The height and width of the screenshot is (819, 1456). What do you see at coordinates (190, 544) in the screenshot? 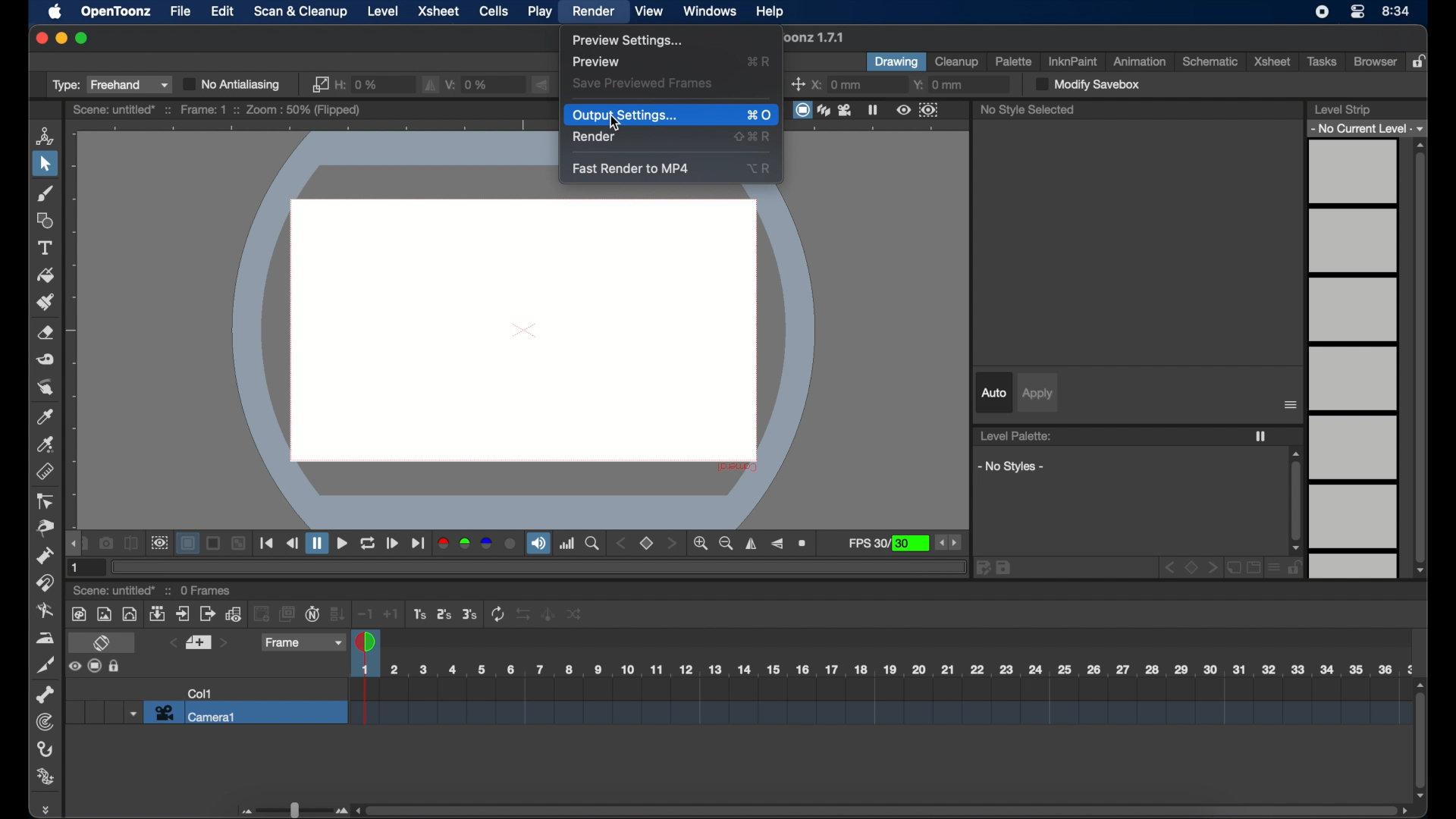
I see `background` at bounding box center [190, 544].